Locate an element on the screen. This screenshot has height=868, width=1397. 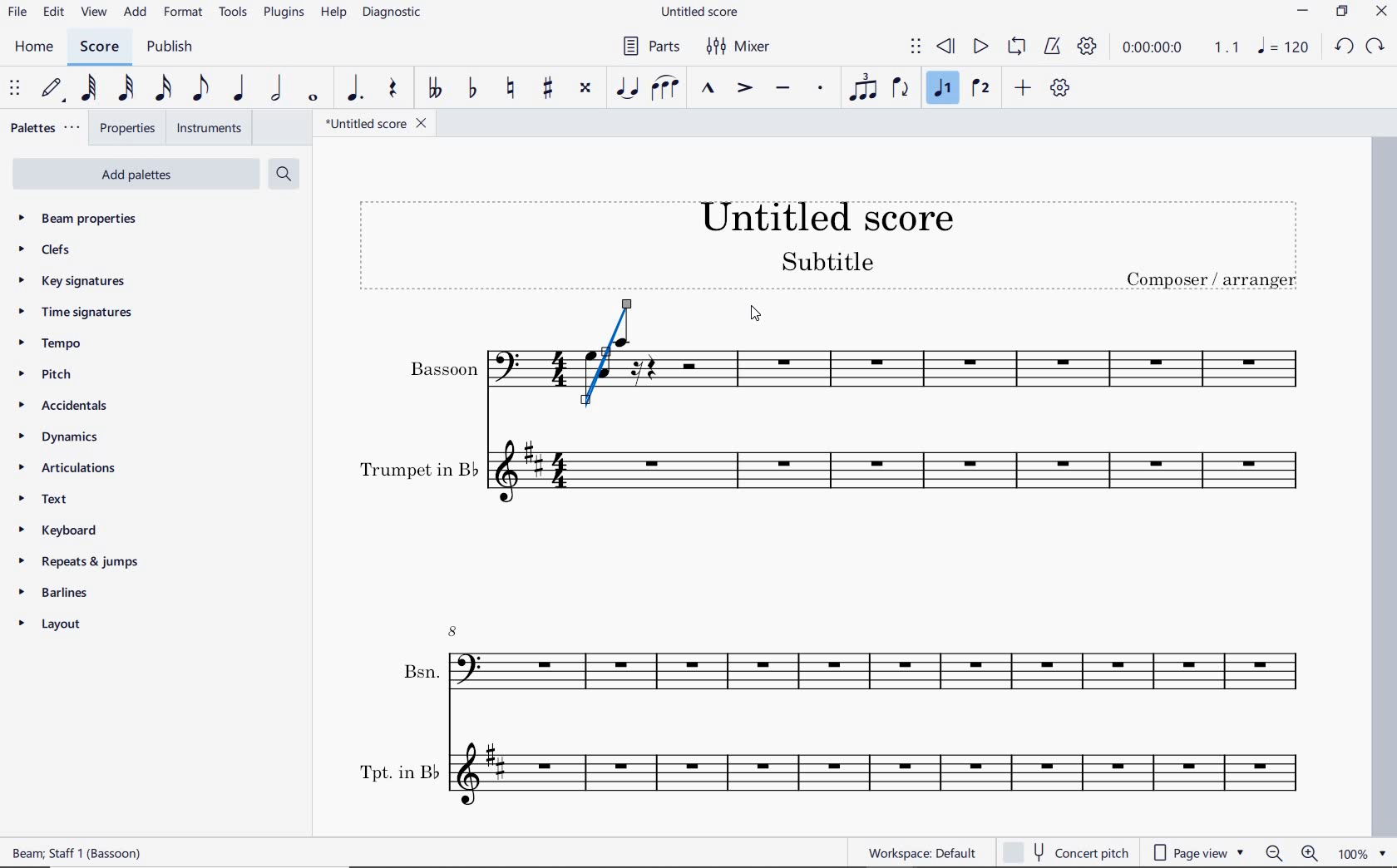
toggle sharp is located at coordinates (547, 89).